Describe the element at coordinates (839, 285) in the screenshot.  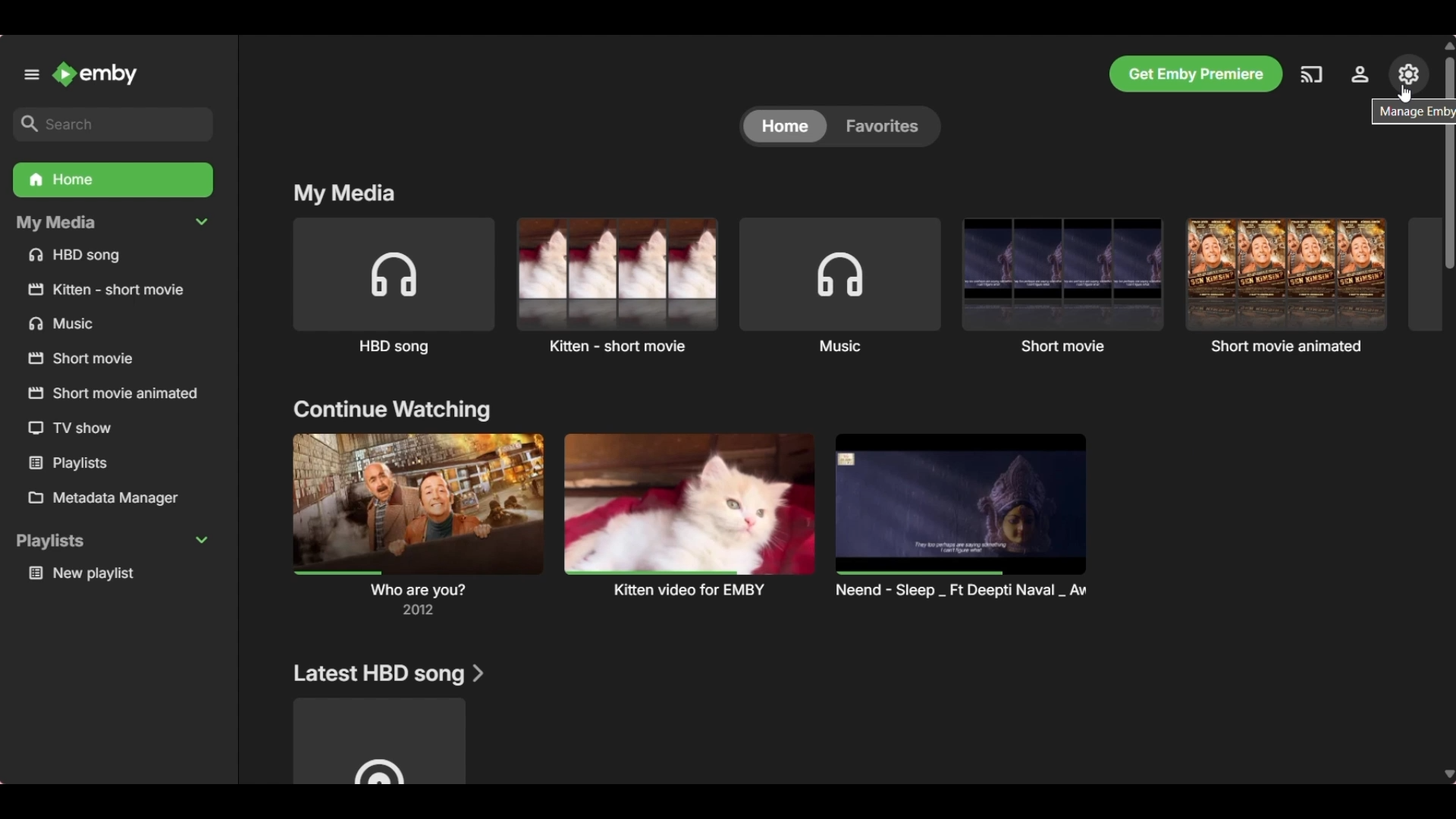
I see `Music` at that location.